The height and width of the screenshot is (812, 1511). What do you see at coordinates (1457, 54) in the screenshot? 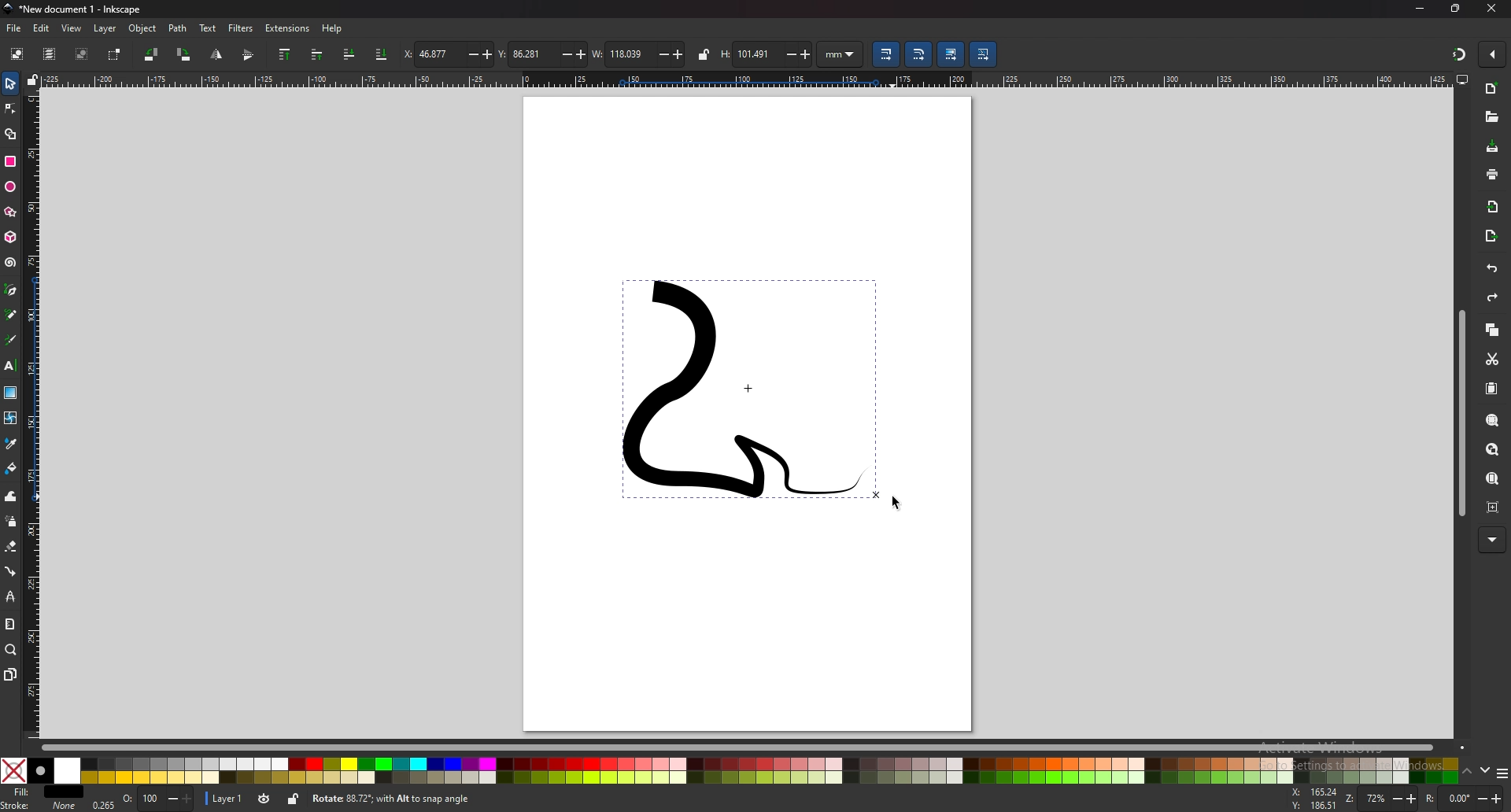
I see `snapping` at bounding box center [1457, 54].